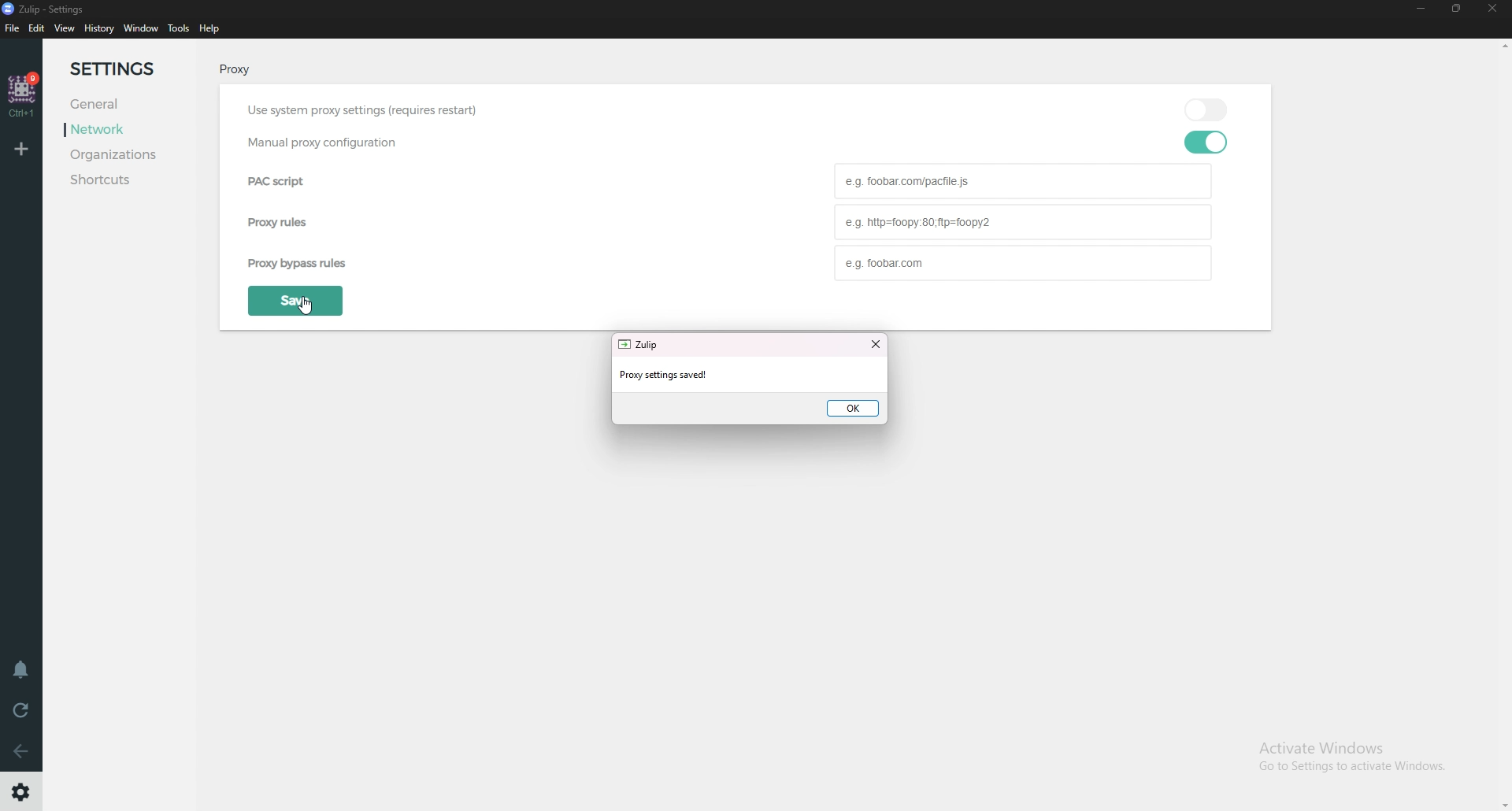  I want to click on pRoxy, so click(232, 72).